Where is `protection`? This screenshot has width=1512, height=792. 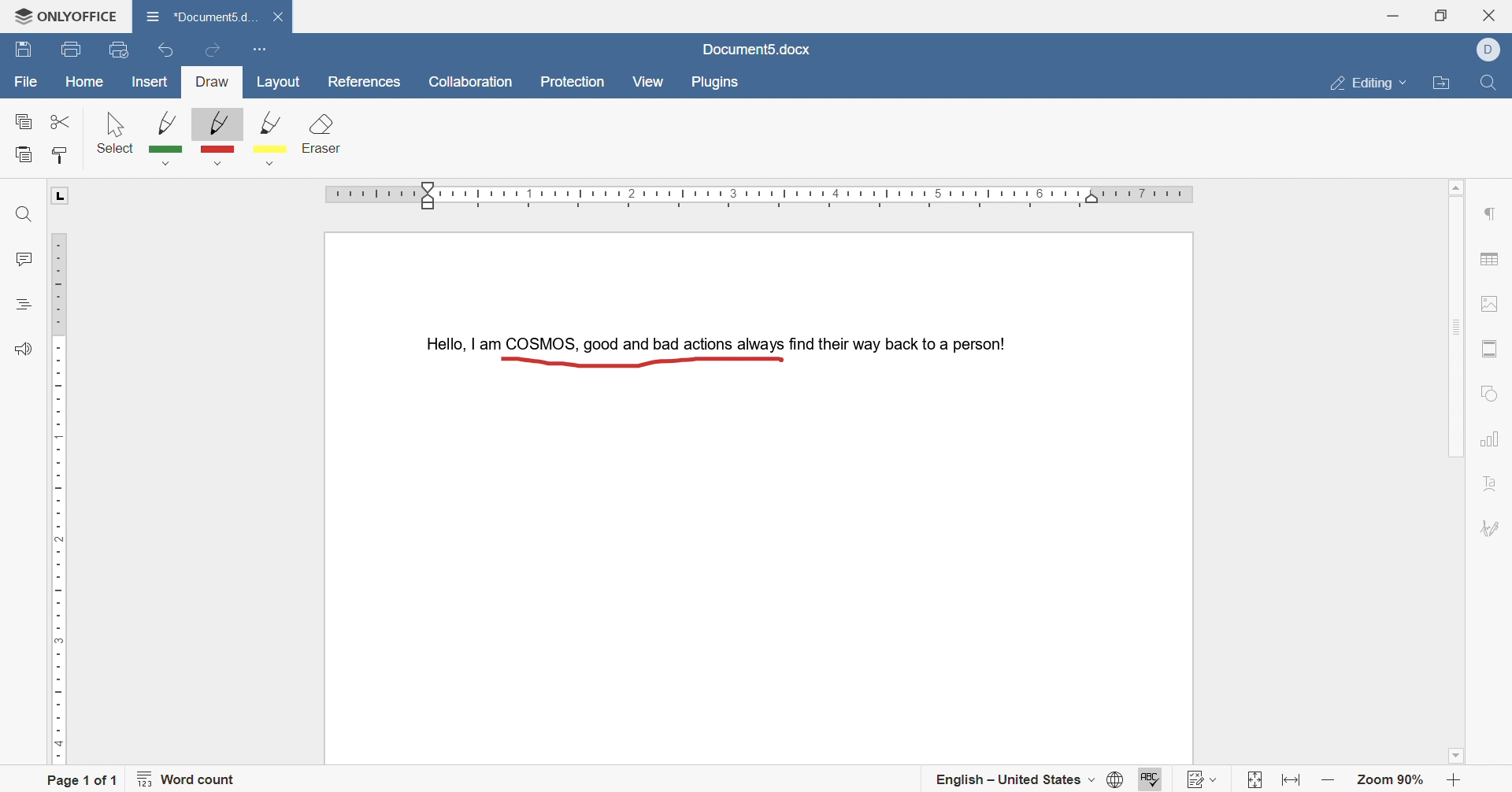 protection is located at coordinates (576, 83).